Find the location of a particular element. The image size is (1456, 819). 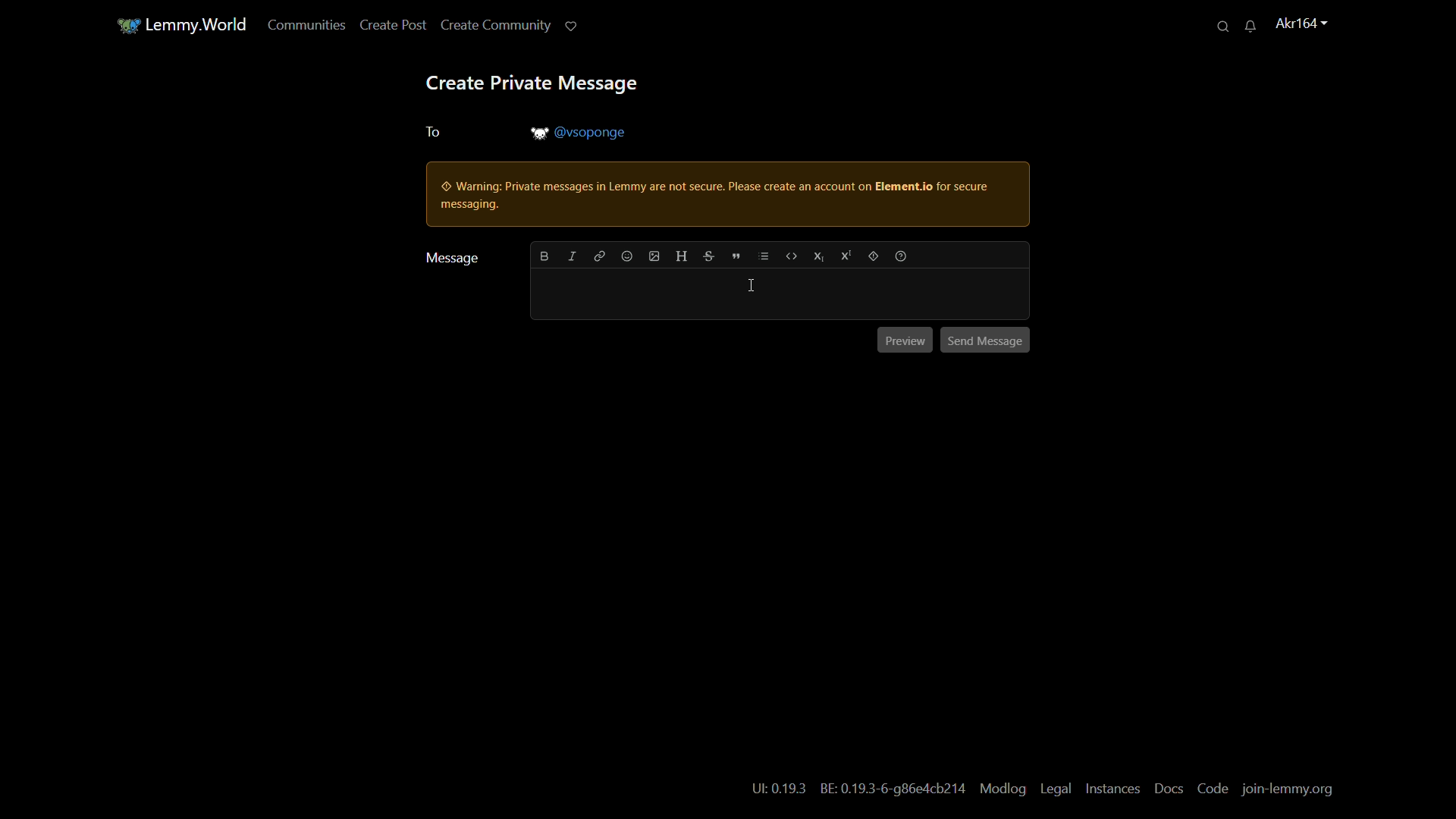

lemmy.world is located at coordinates (188, 24).